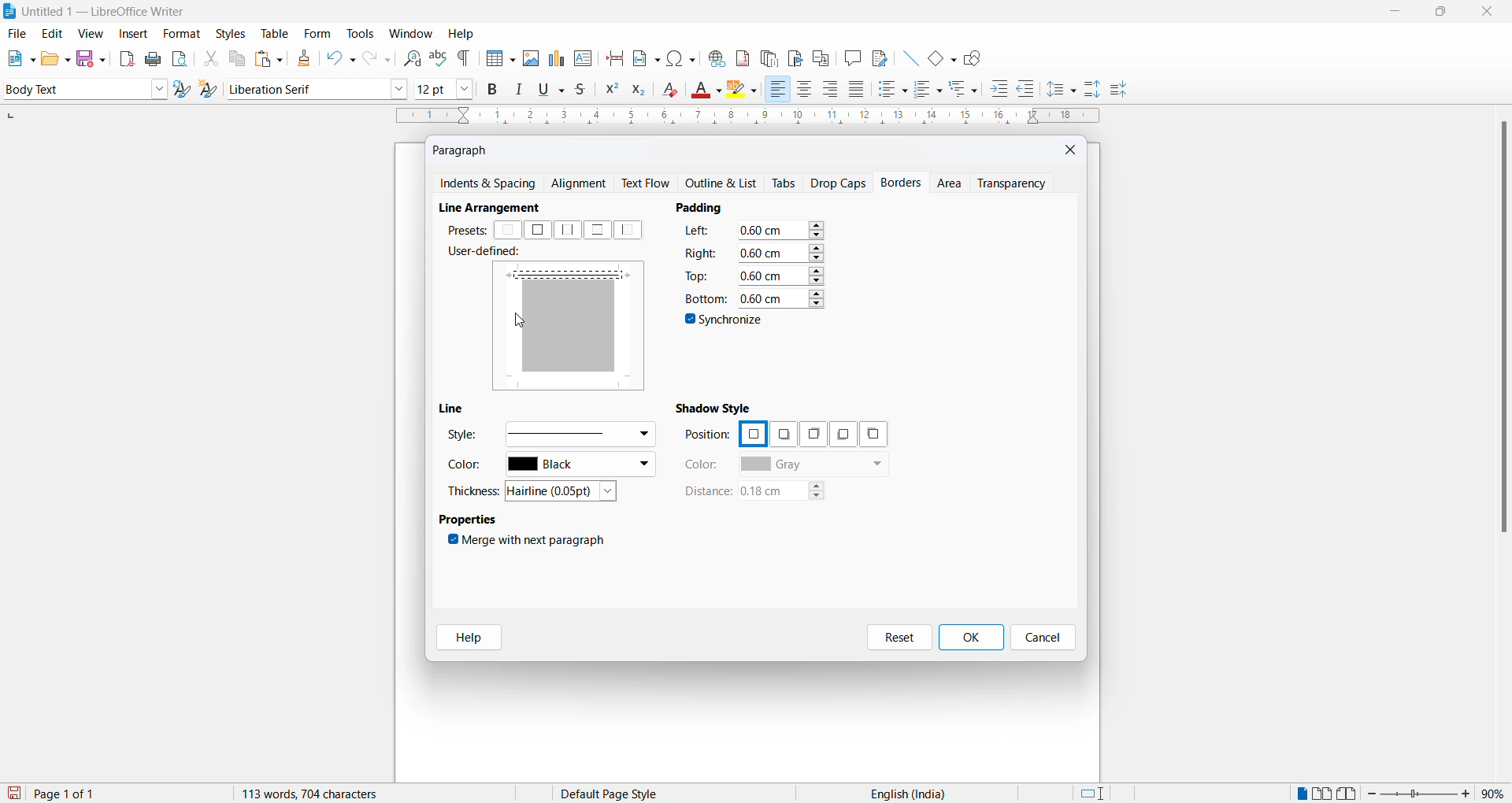 This screenshot has width=1512, height=803. I want to click on cancel, so click(1043, 638).